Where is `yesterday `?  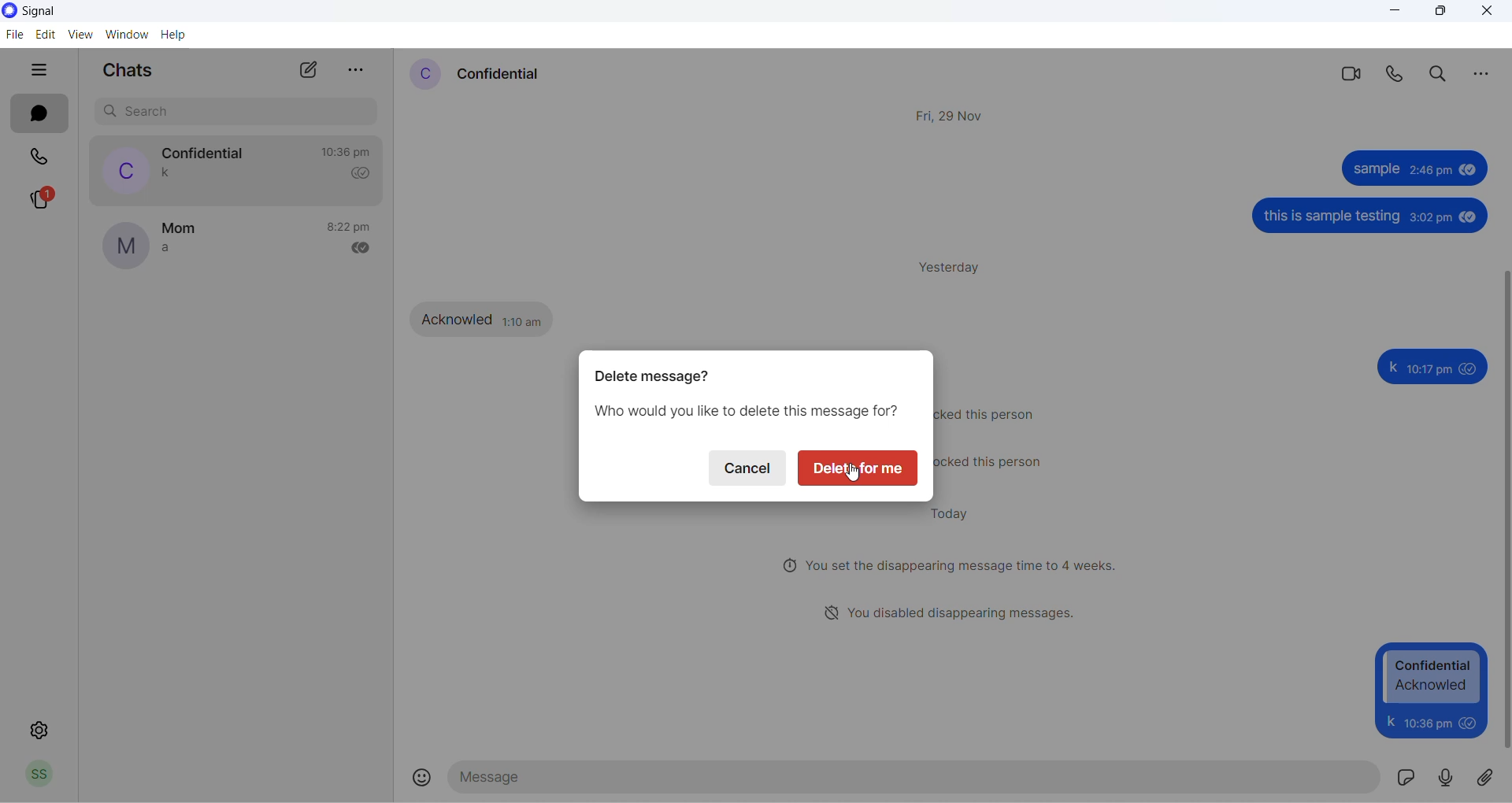
yesterday  is located at coordinates (955, 270).